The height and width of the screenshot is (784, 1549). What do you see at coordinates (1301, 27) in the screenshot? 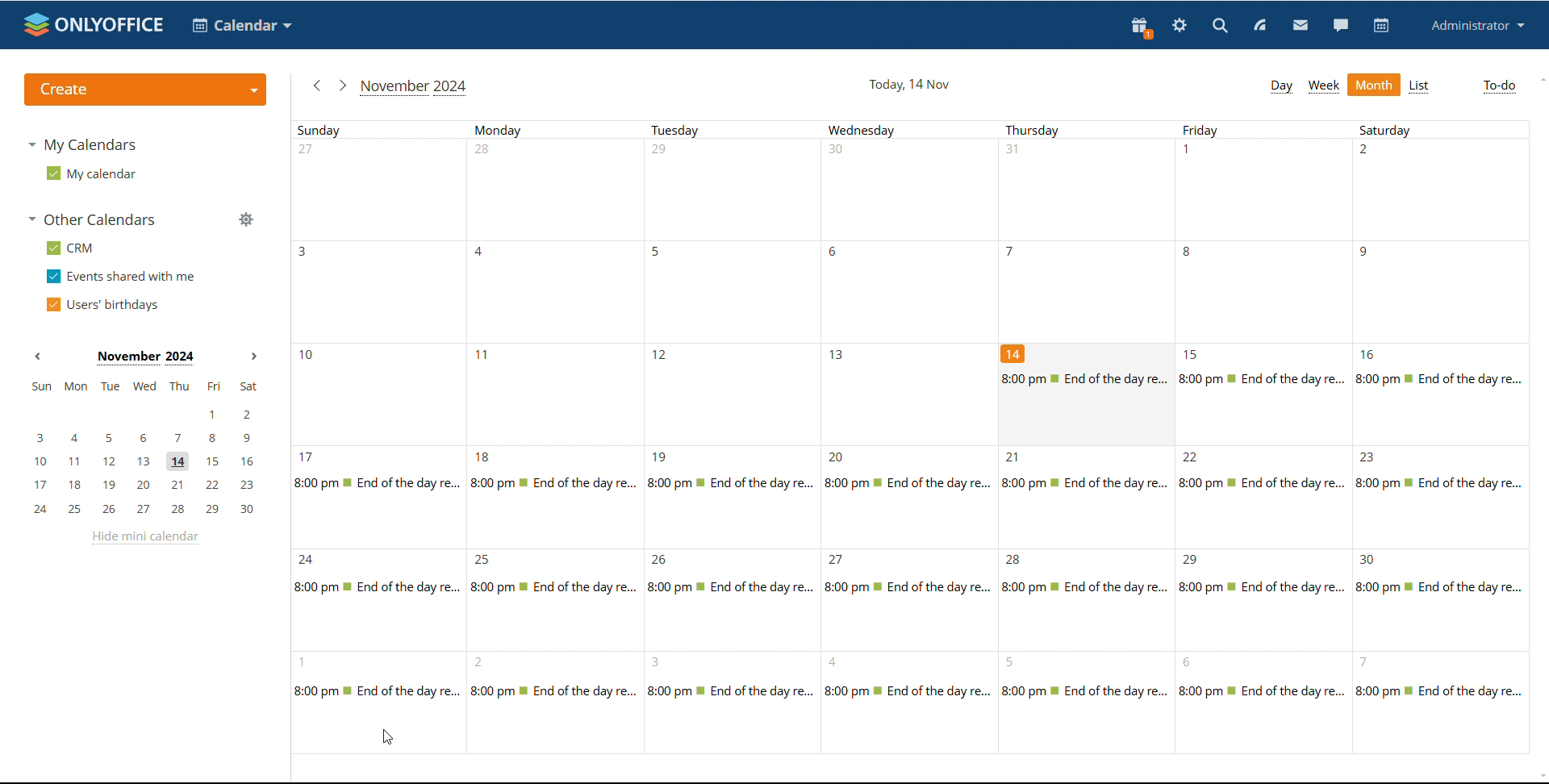
I see `mail` at bounding box center [1301, 27].